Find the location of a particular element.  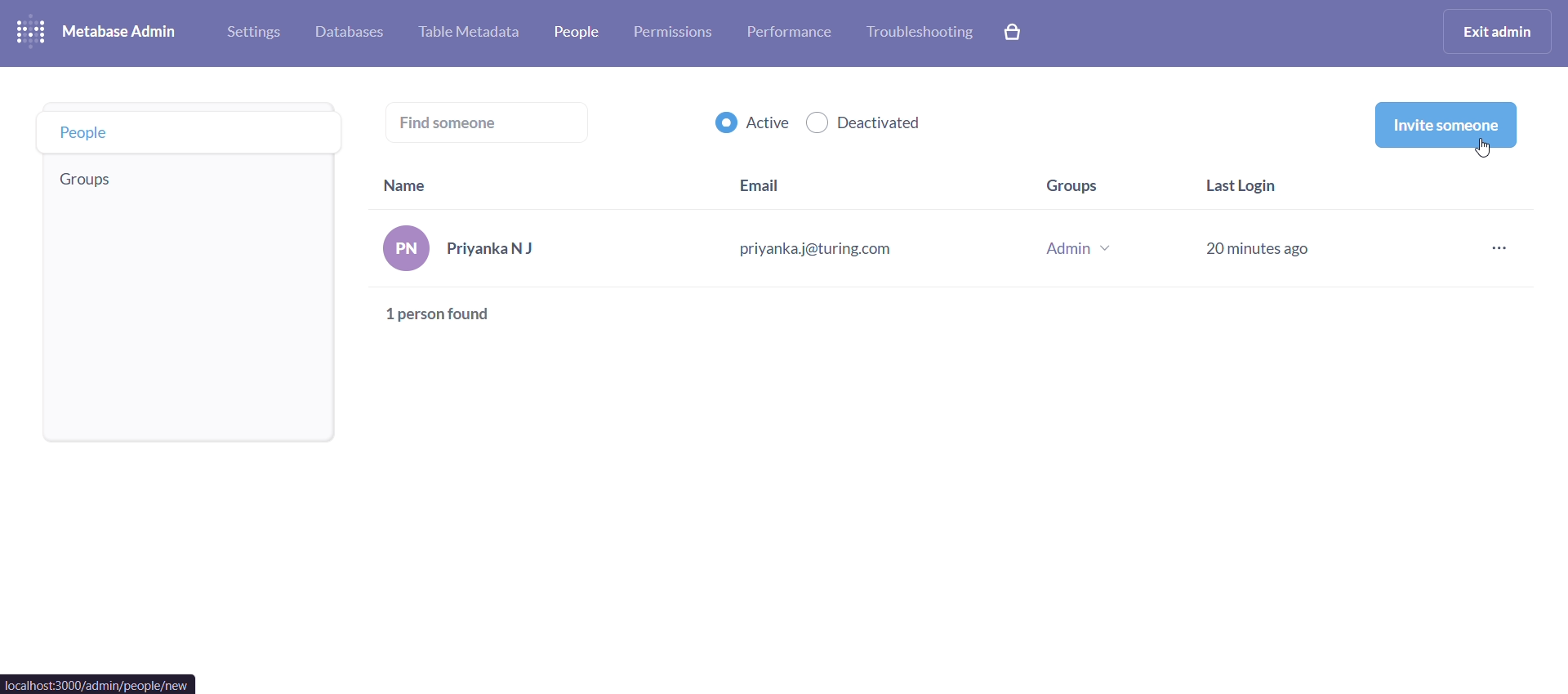

troubleshooting is located at coordinates (918, 33).